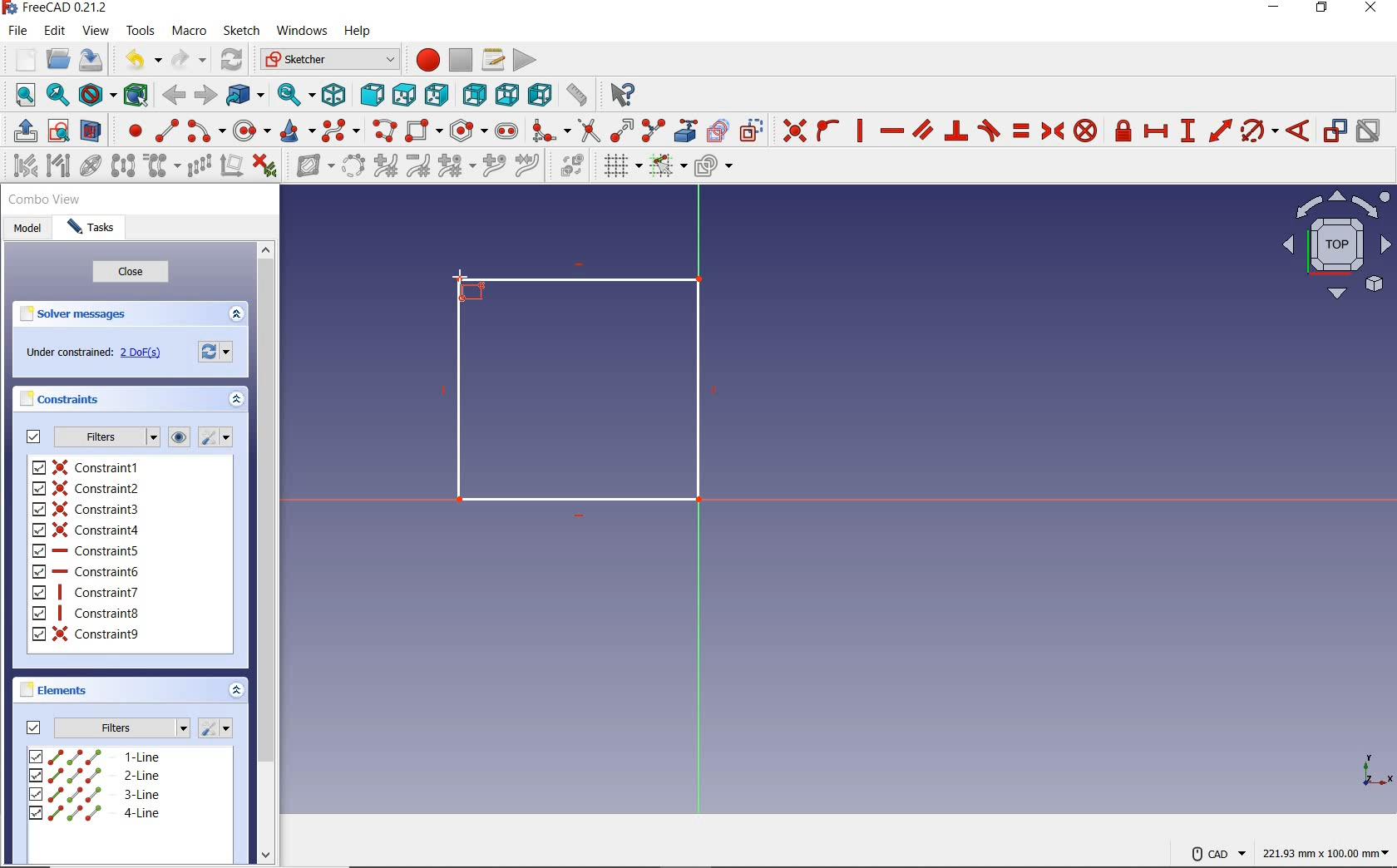 The height and width of the screenshot is (868, 1397). I want to click on draw style, so click(96, 94).